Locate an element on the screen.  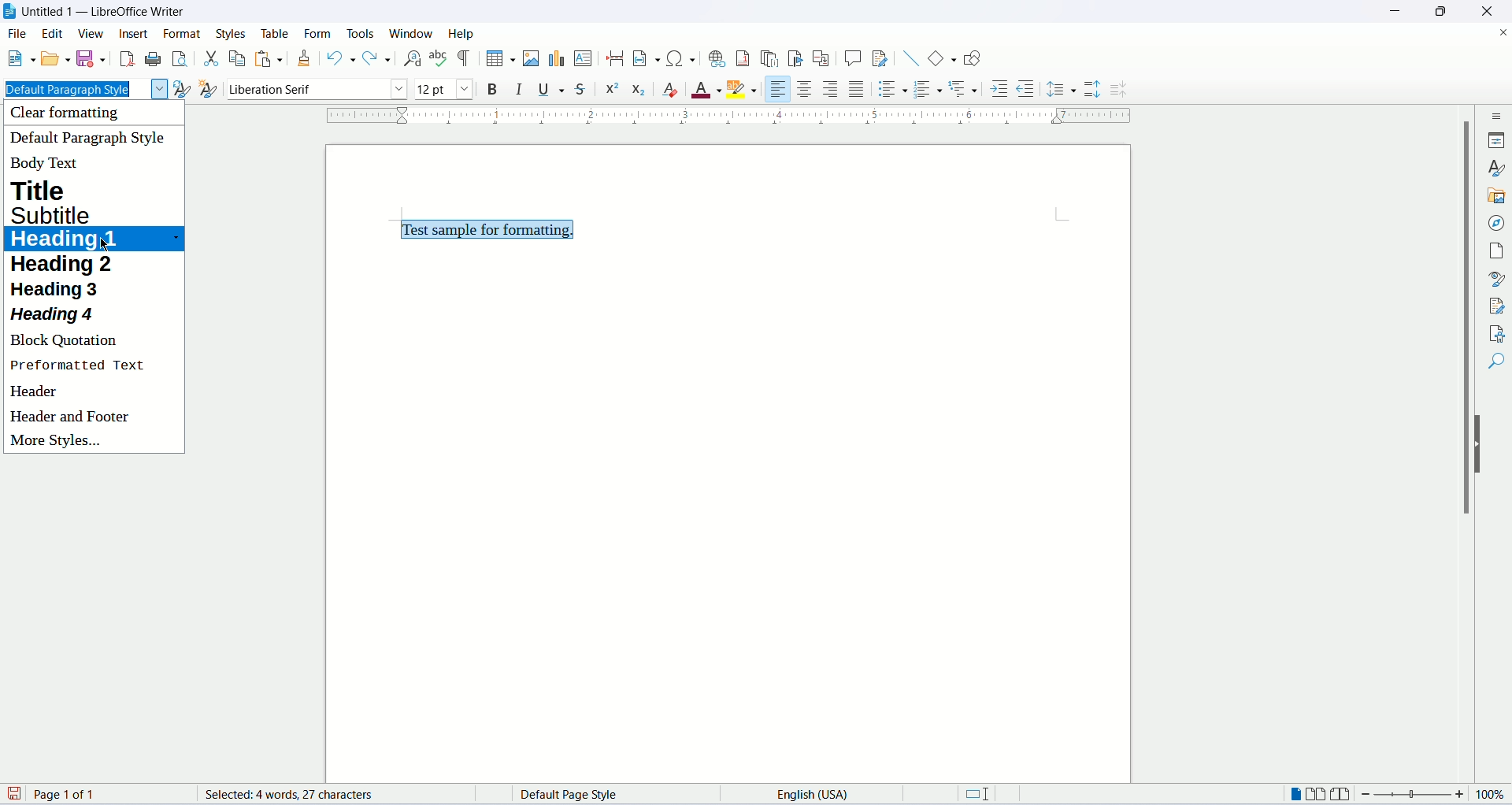
insert bookmark is located at coordinates (798, 58).